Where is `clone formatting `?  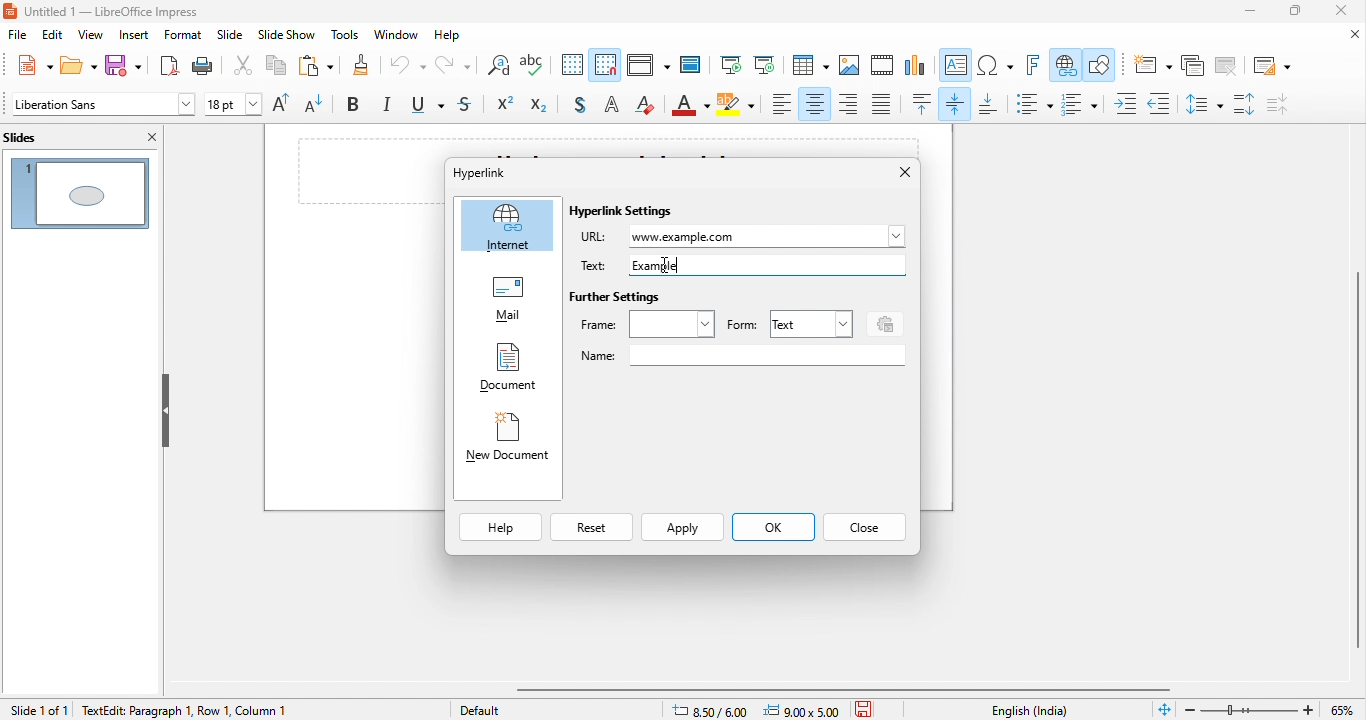
clone formatting  is located at coordinates (359, 67).